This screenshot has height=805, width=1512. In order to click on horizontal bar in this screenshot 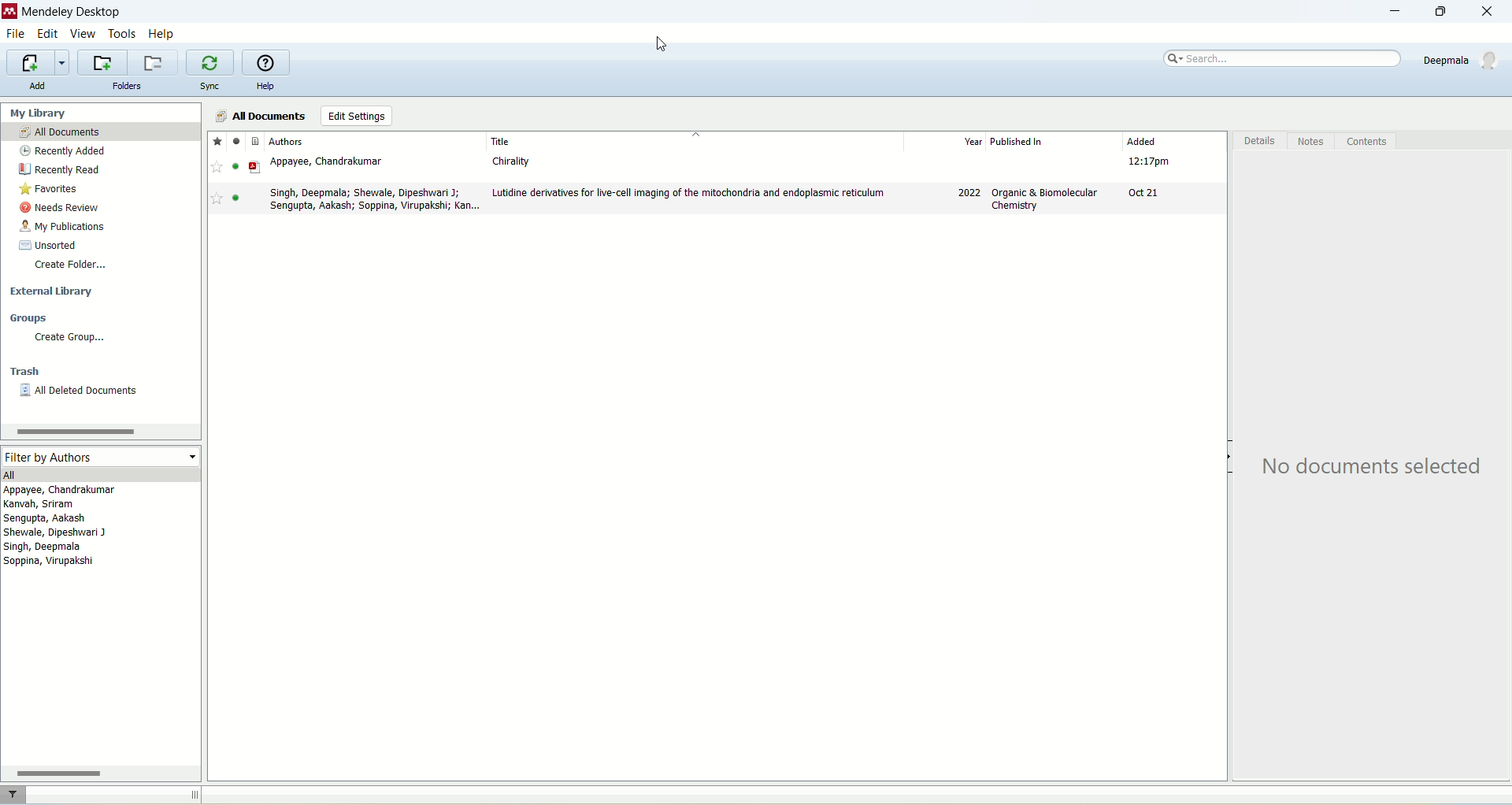, I will do `click(101, 771)`.